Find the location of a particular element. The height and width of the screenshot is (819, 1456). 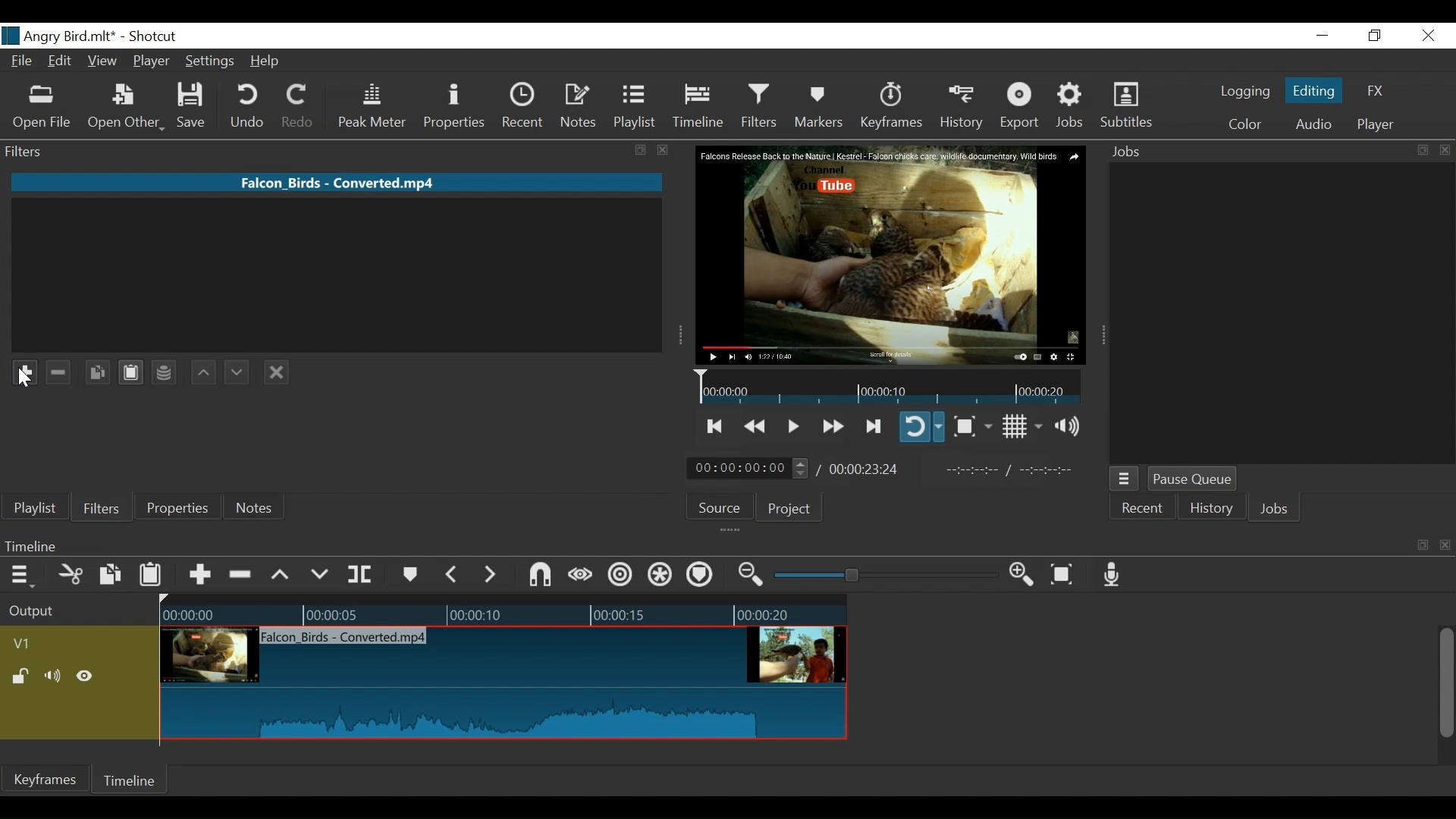

Copy is located at coordinates (112, 577).